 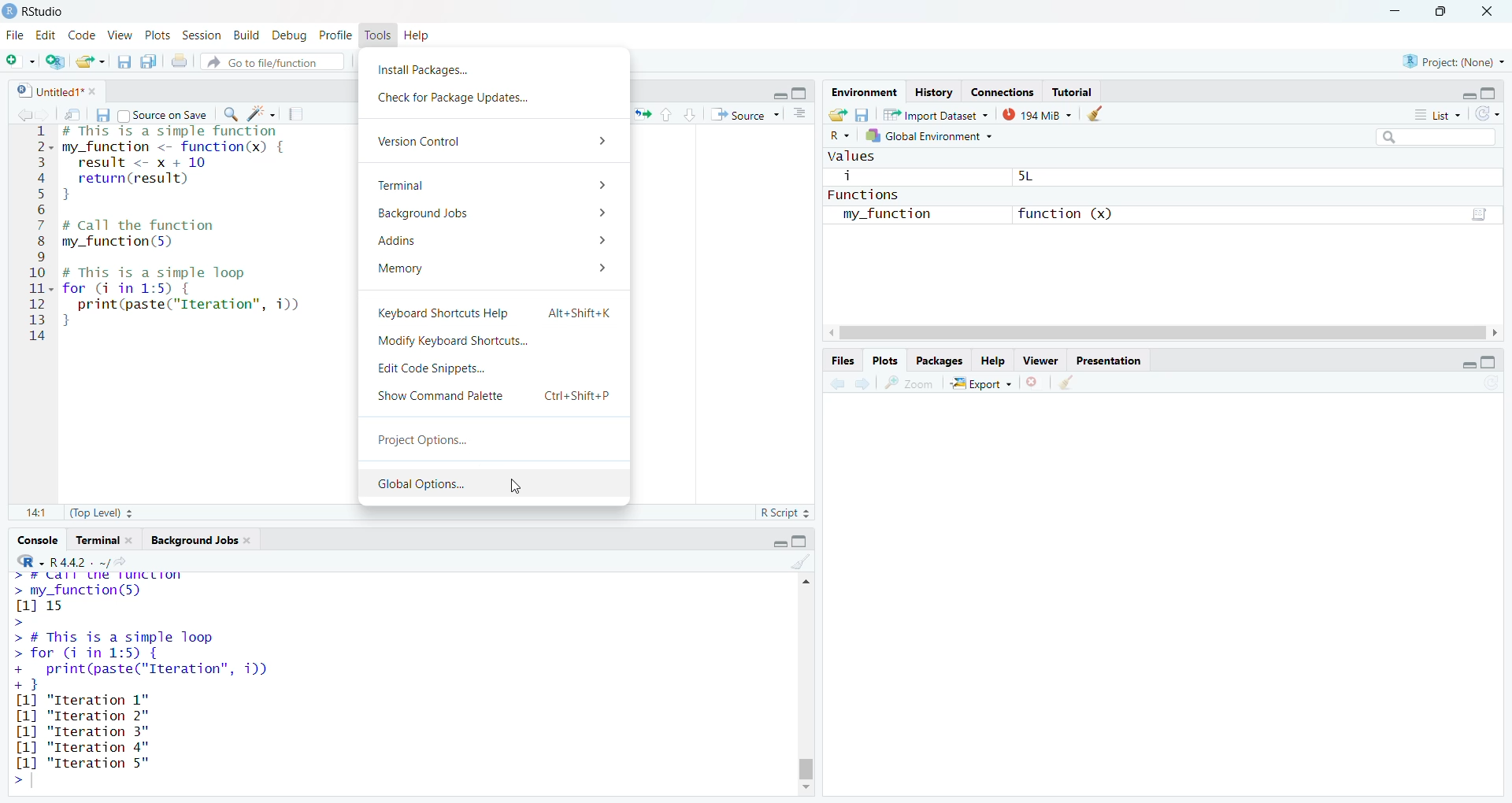 What do you see at coordinates (443, 369) in the screenshot?
I see `Edit Code Snippets...` at bounding box center [443, 369].